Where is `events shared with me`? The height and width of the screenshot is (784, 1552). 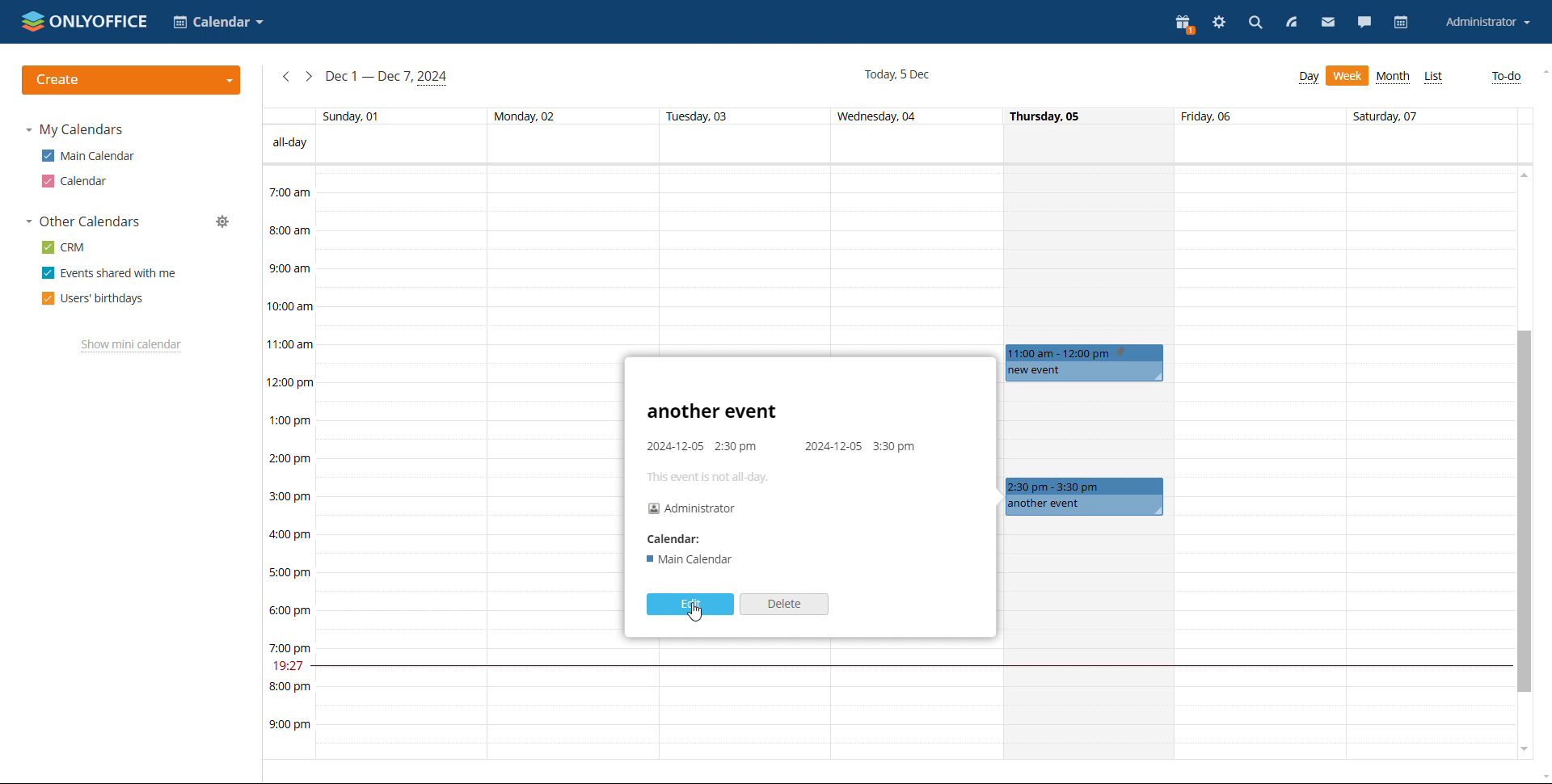 events shared with me is located at coordinates (109, 273).